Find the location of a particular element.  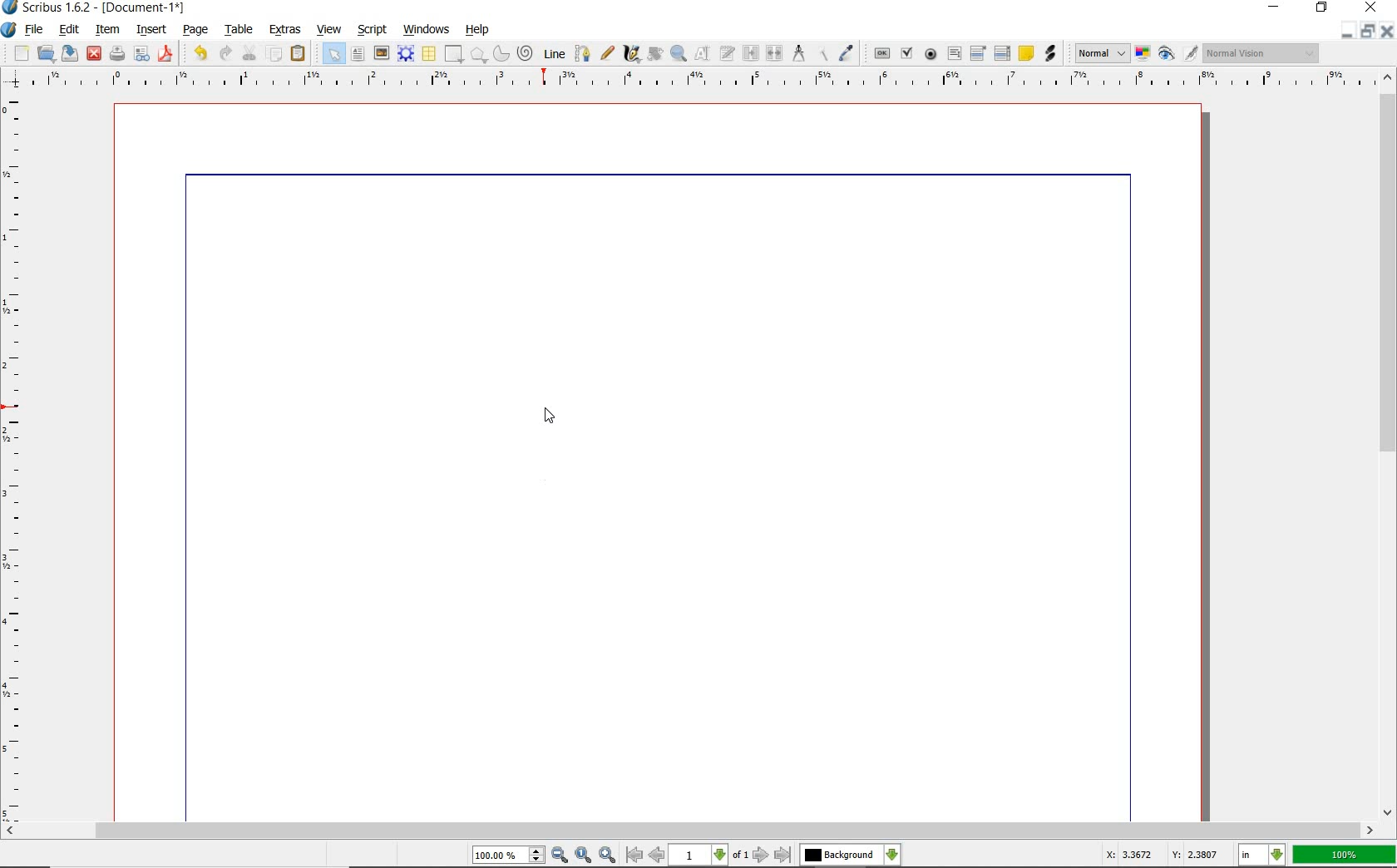

Normal Vision is located at coordinates (1260, 52).